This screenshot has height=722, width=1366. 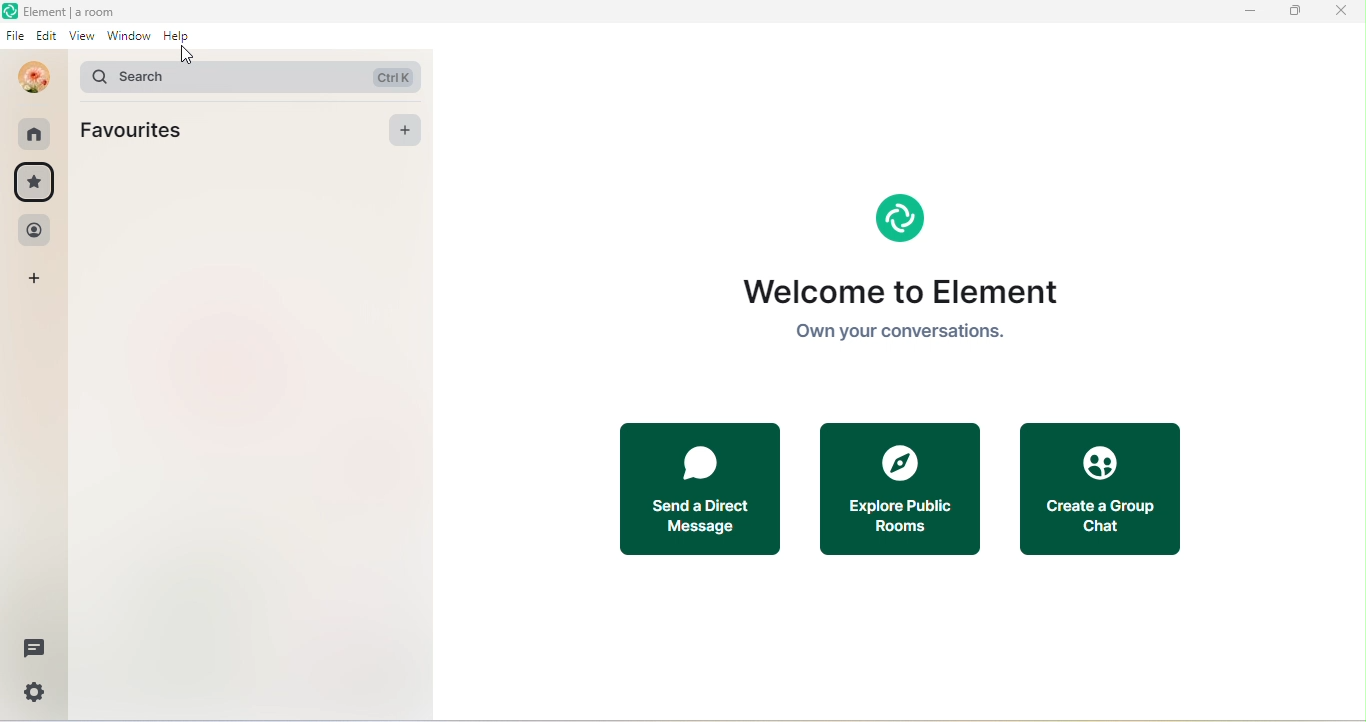 What do you see at coordinates (391, 76) in the screenshot?
I see `CTRL K` at bounding box center [391, 76].